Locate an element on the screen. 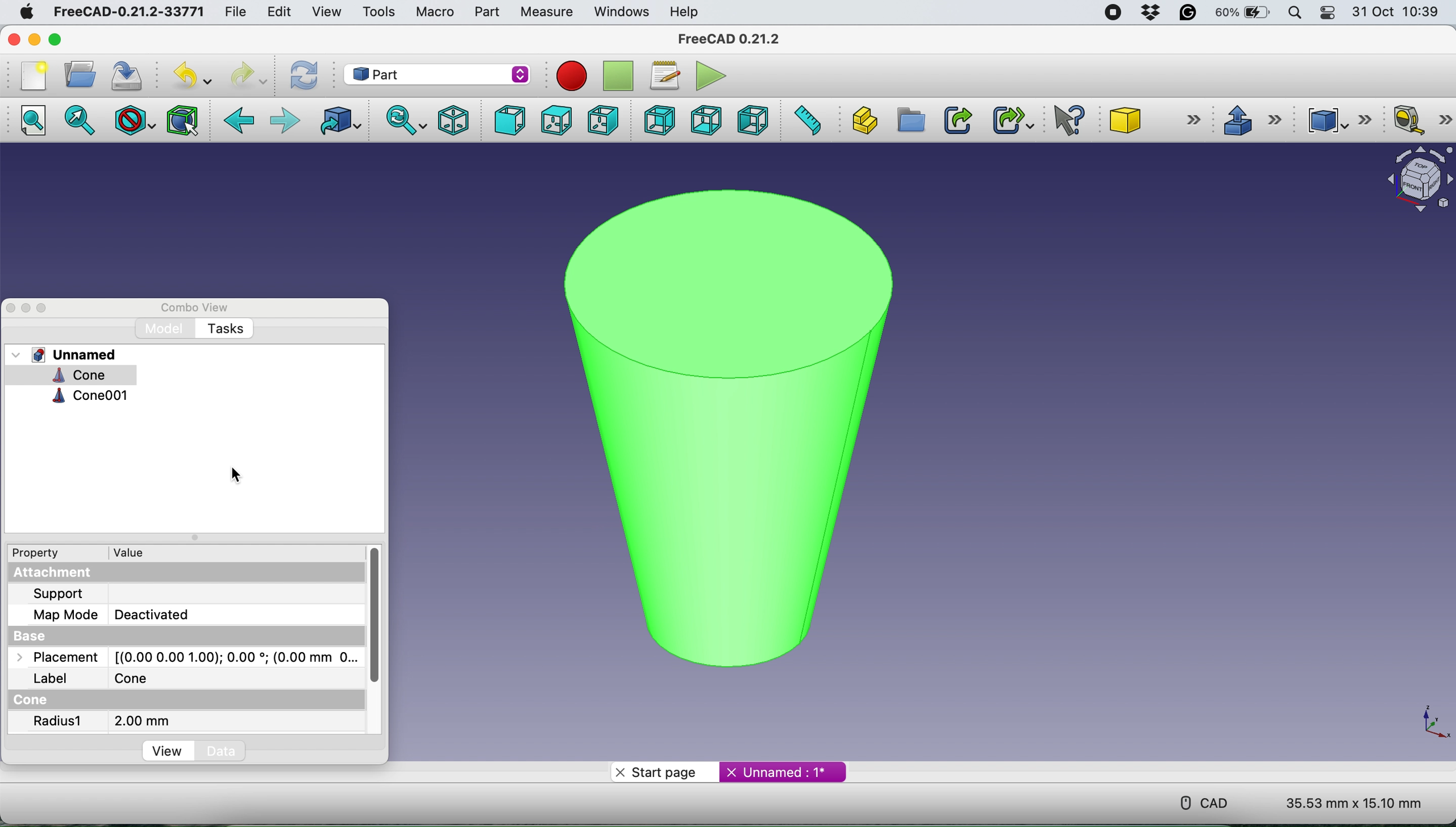  bounding box is located at coordinates (181, 120).